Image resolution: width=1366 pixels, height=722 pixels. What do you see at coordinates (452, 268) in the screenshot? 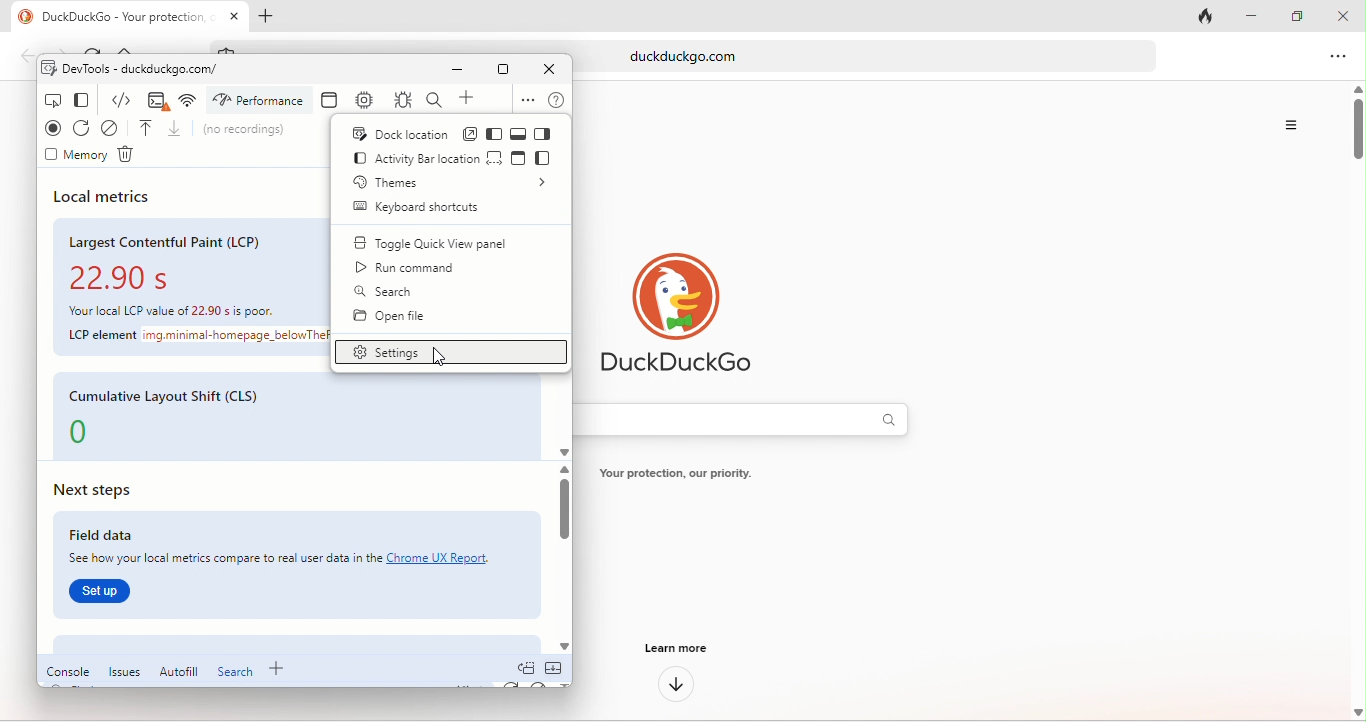
I see `run command` at bounding box center [452, 268].